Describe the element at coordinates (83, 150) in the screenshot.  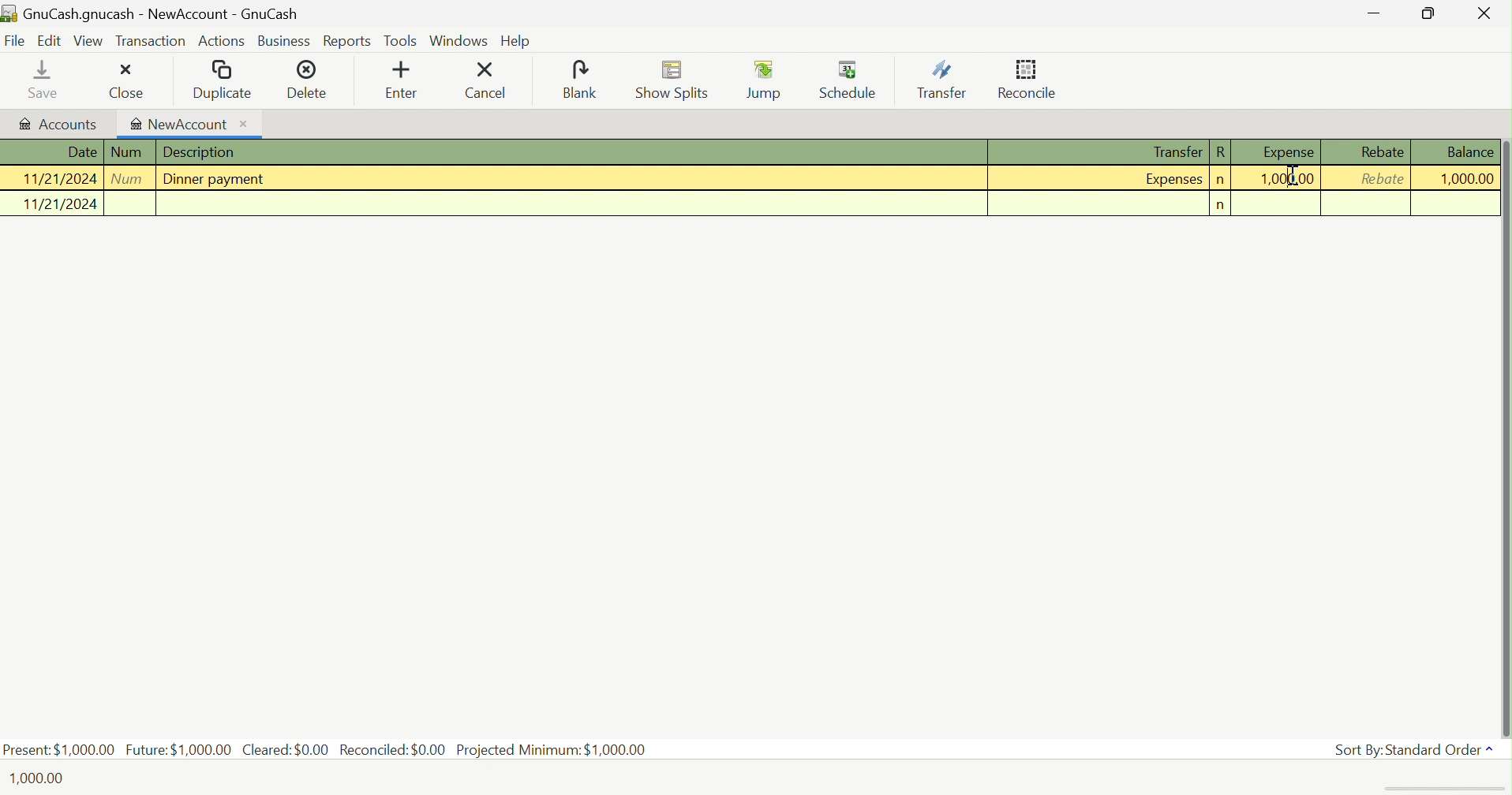
I see `` at that location.